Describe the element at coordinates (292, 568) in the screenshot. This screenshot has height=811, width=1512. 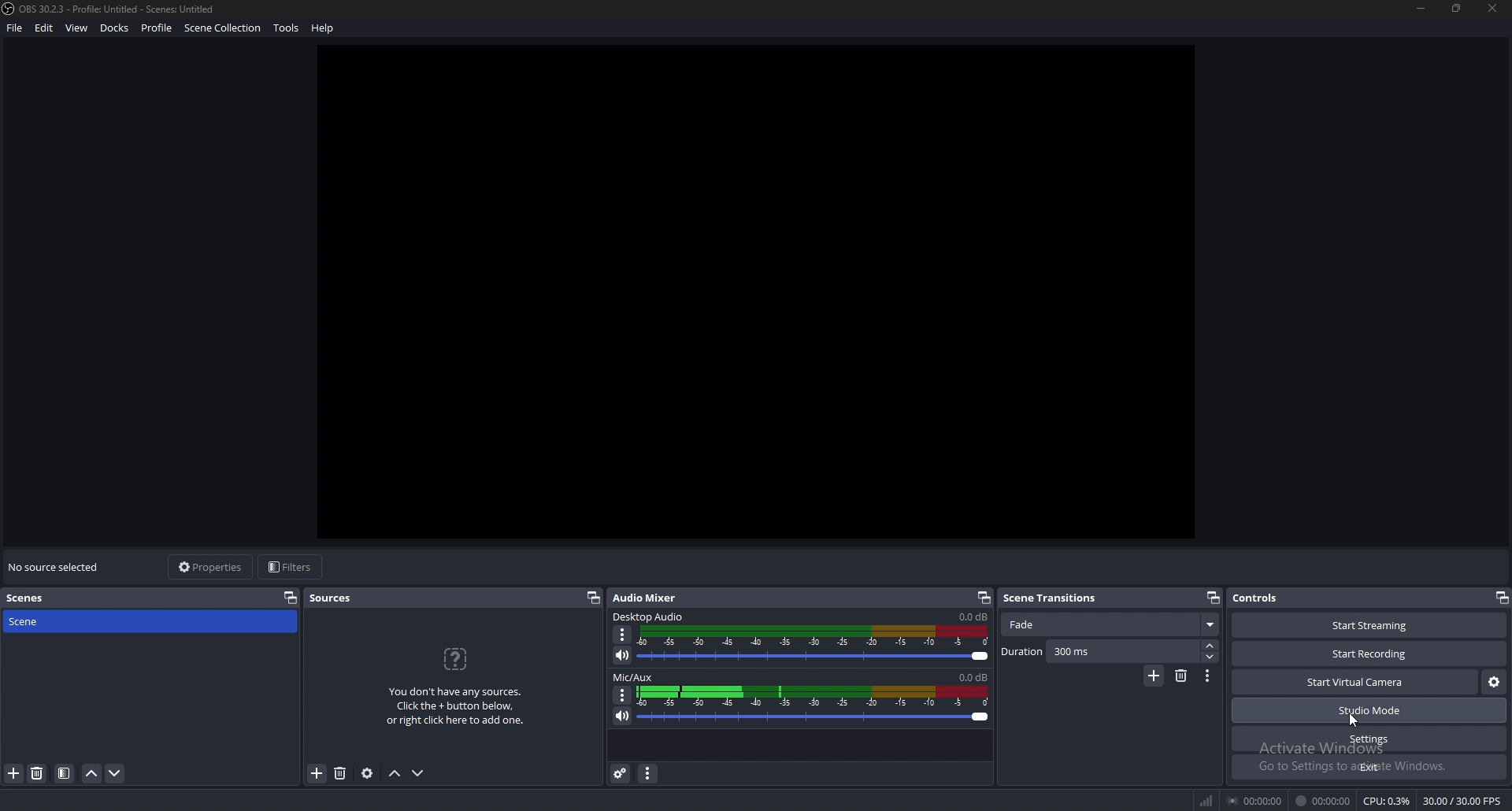
I see `filters` at that location.